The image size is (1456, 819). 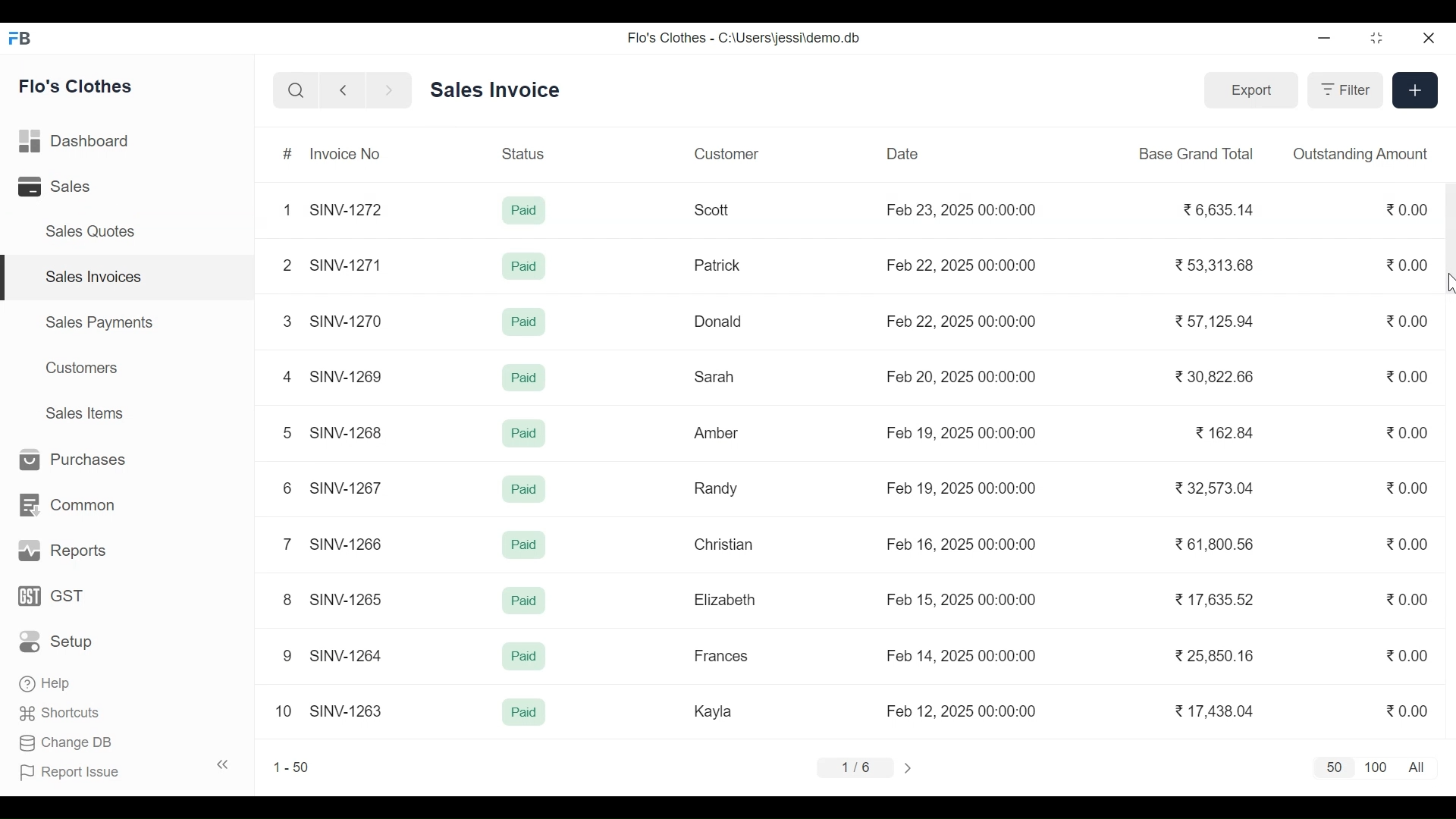 What do you see at coordinates (1331, 768) in the screenshot?
I see `50` at bounding box center [1331, 768].